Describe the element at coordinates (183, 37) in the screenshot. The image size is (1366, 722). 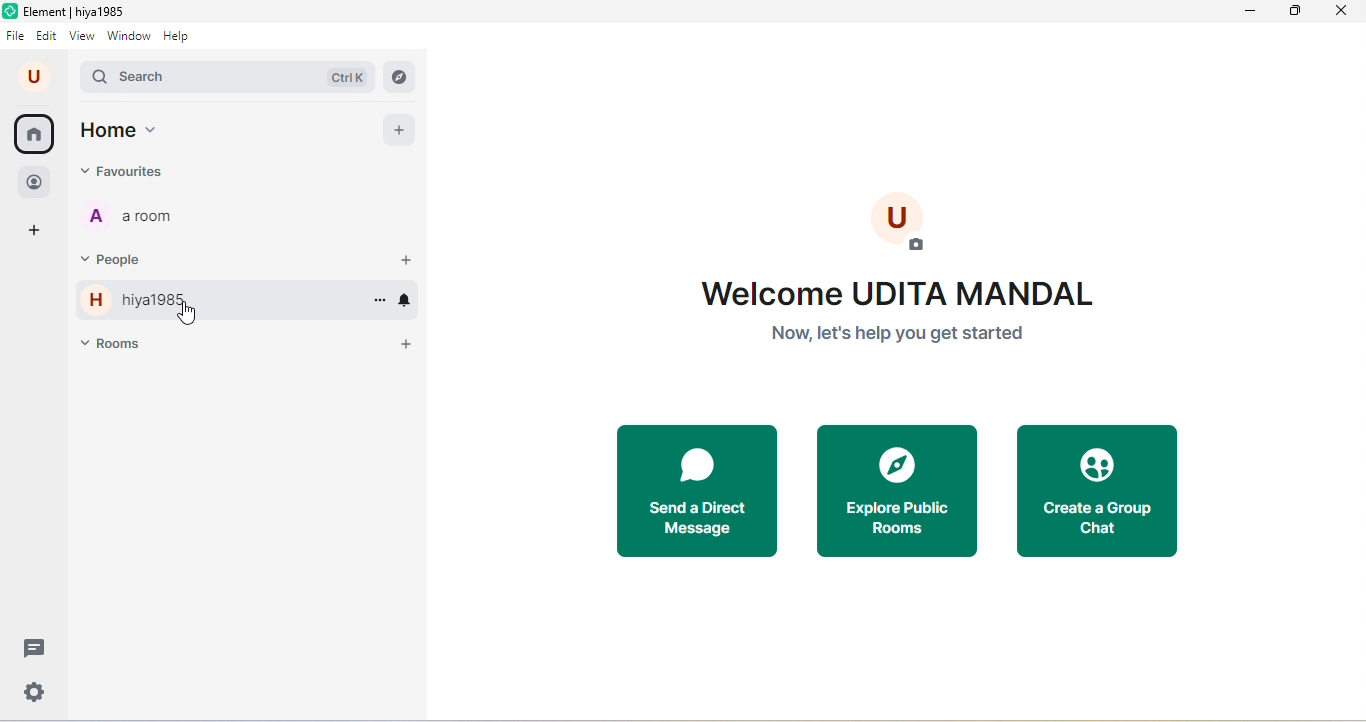
I see `help` at that location.